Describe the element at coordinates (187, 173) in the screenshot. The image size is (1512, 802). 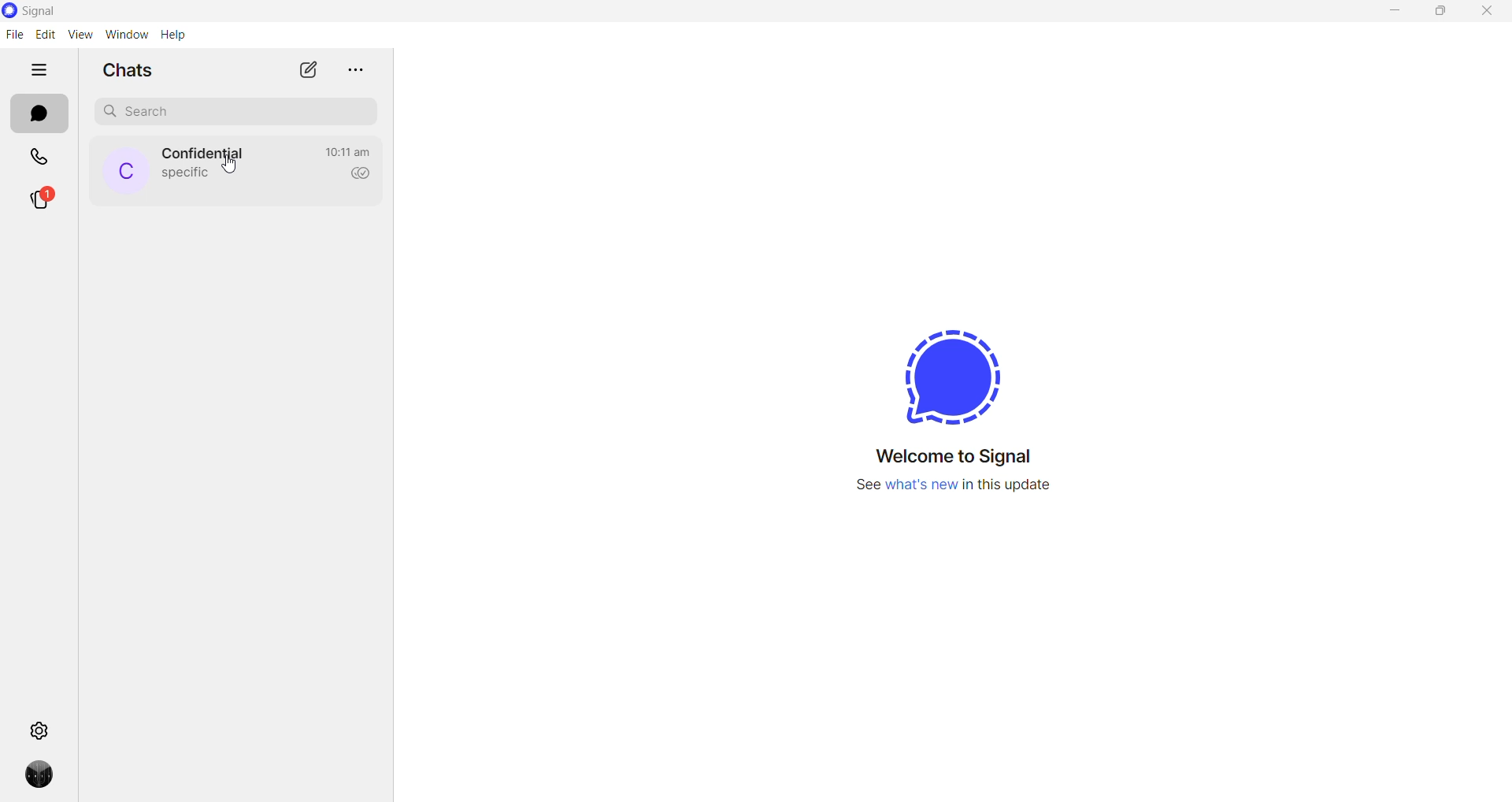
I see `last message` at that location.